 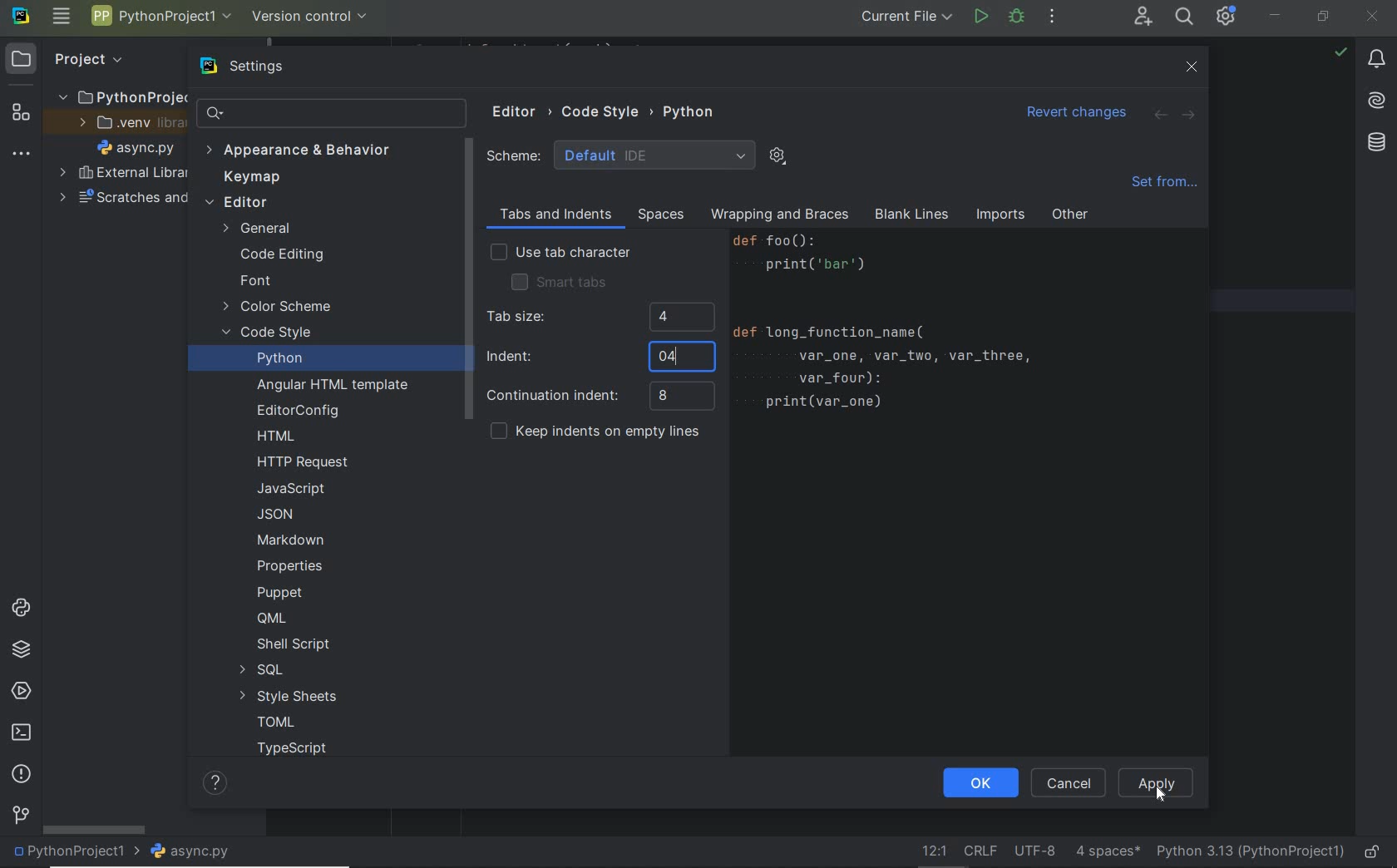 What do you see at coordinates (283, 592) in the screenshot?
I see `PUPPET` at bounding box center [283, 592].